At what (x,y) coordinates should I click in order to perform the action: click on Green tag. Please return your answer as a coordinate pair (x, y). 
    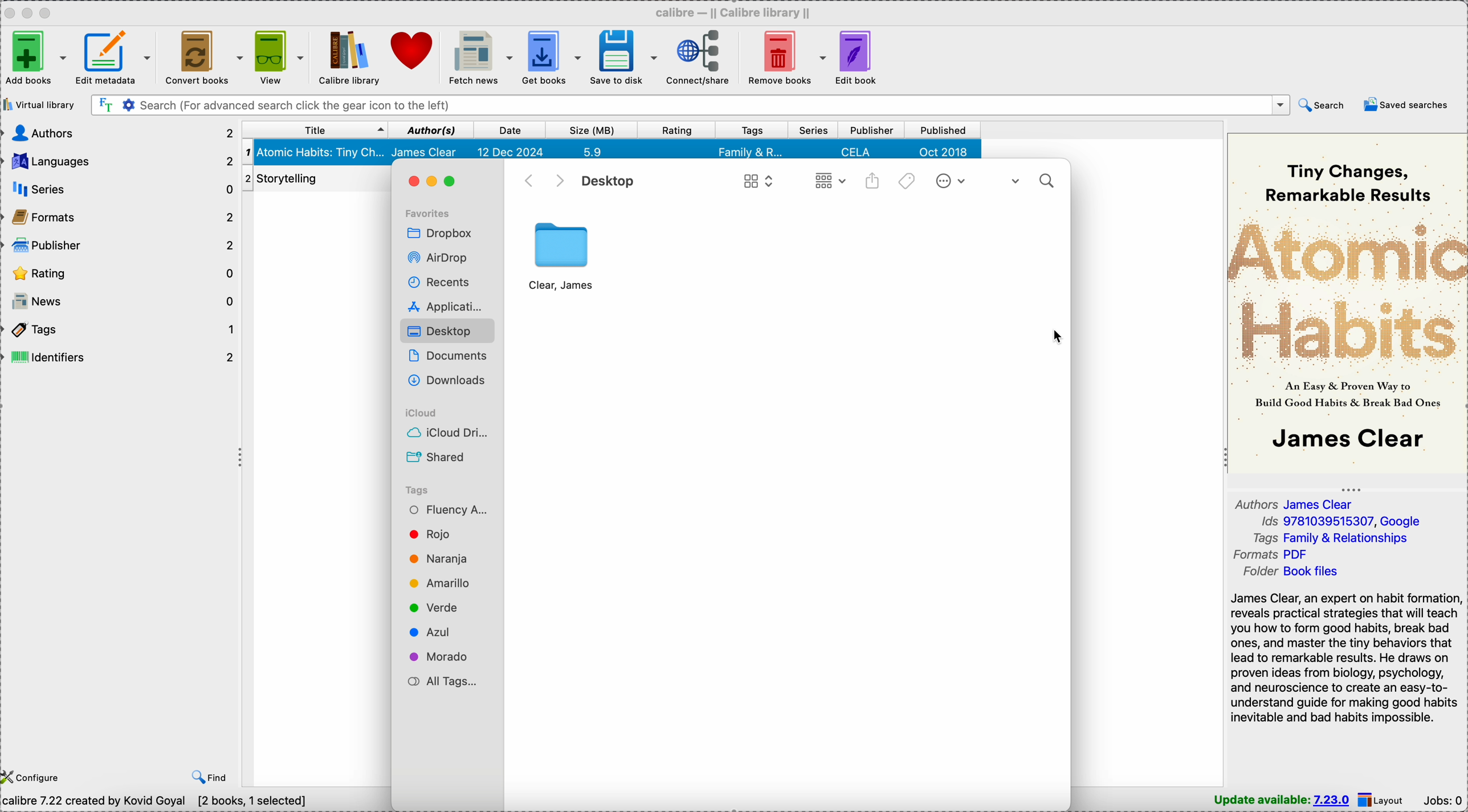
    Looking at the image, I should click on (434, 606).